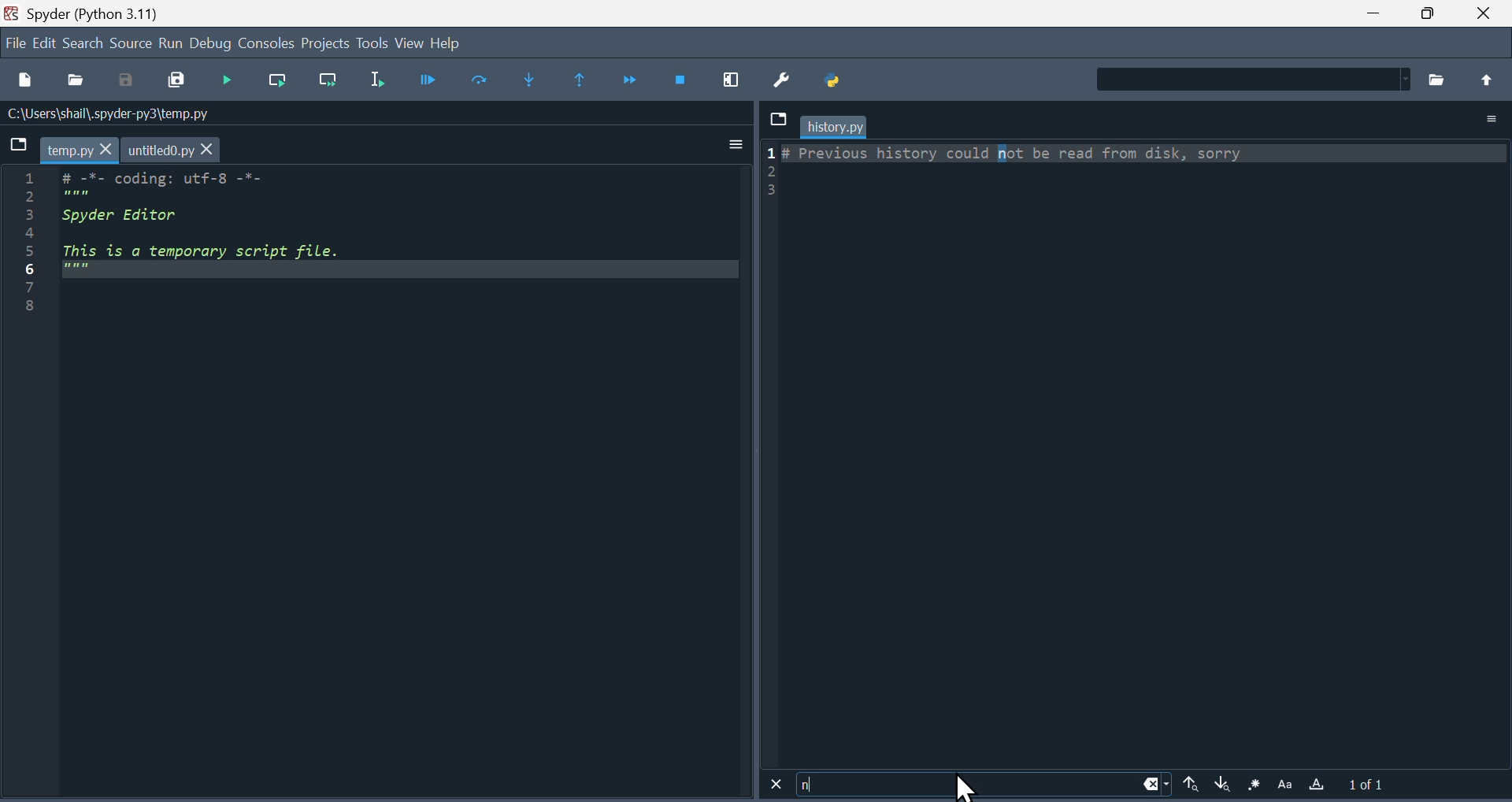  I want to click on Options, so click(1484, 119).